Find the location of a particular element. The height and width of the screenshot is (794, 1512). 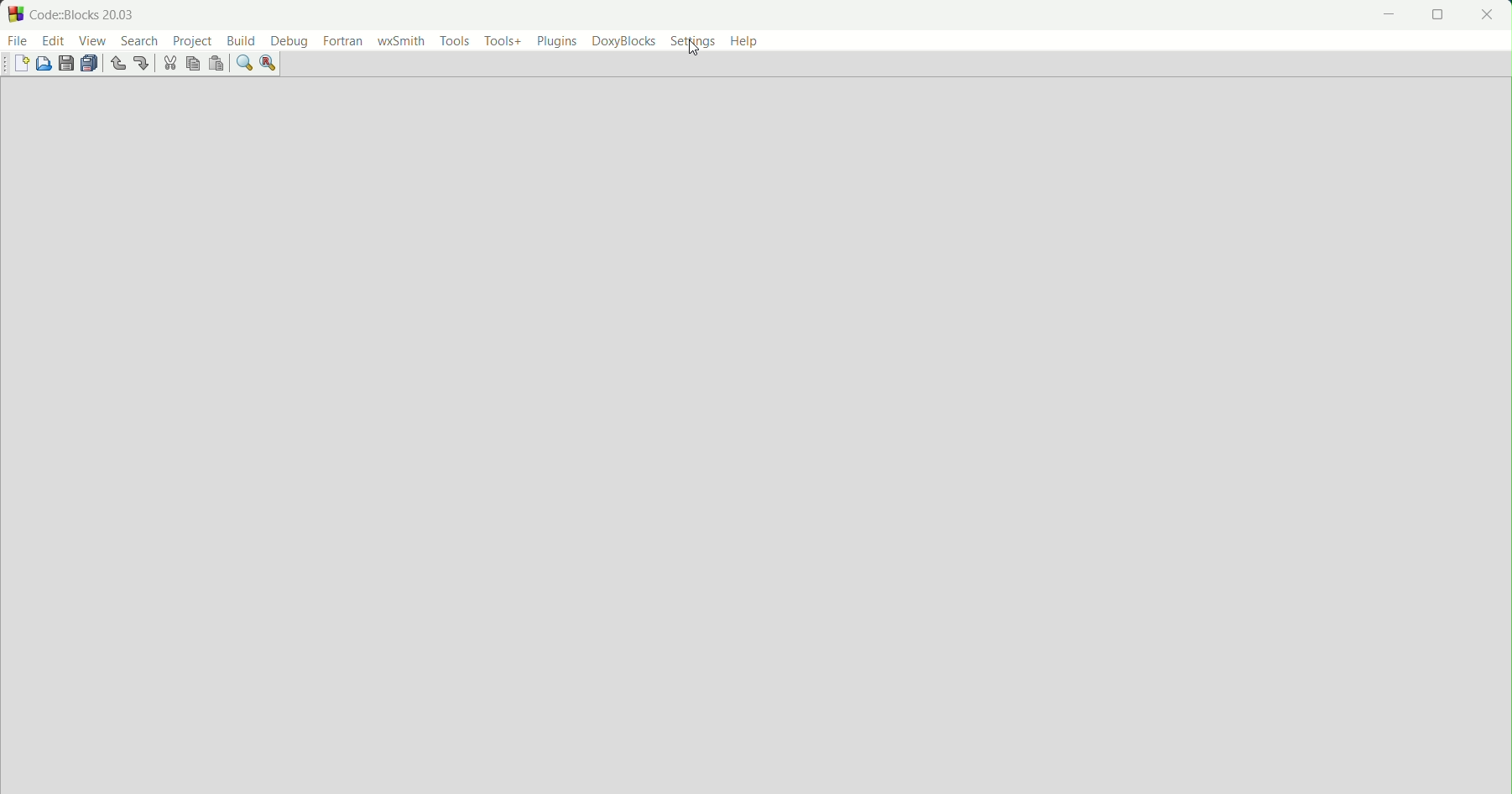

fullscreen is located at coordinates (1437, 15).